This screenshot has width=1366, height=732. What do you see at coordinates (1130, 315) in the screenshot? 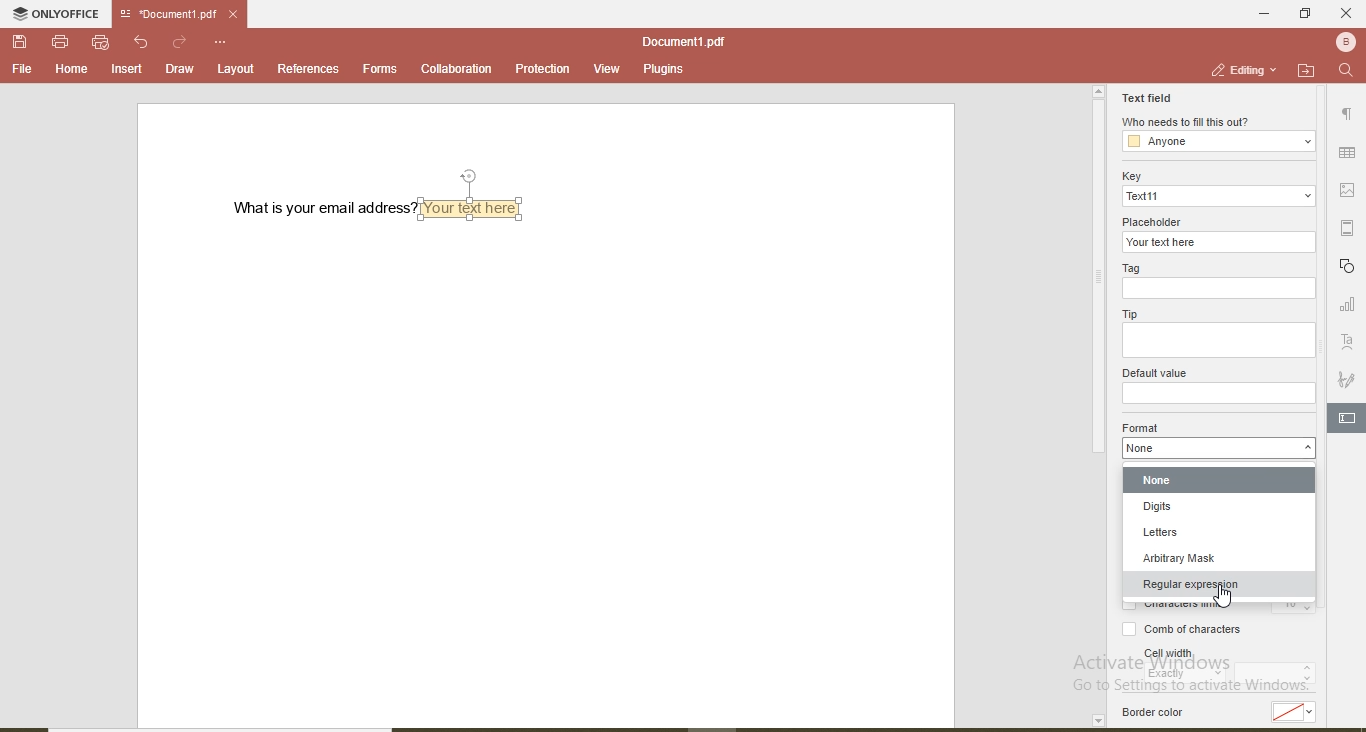
I see `tip` at bounding box center [1130, 315].